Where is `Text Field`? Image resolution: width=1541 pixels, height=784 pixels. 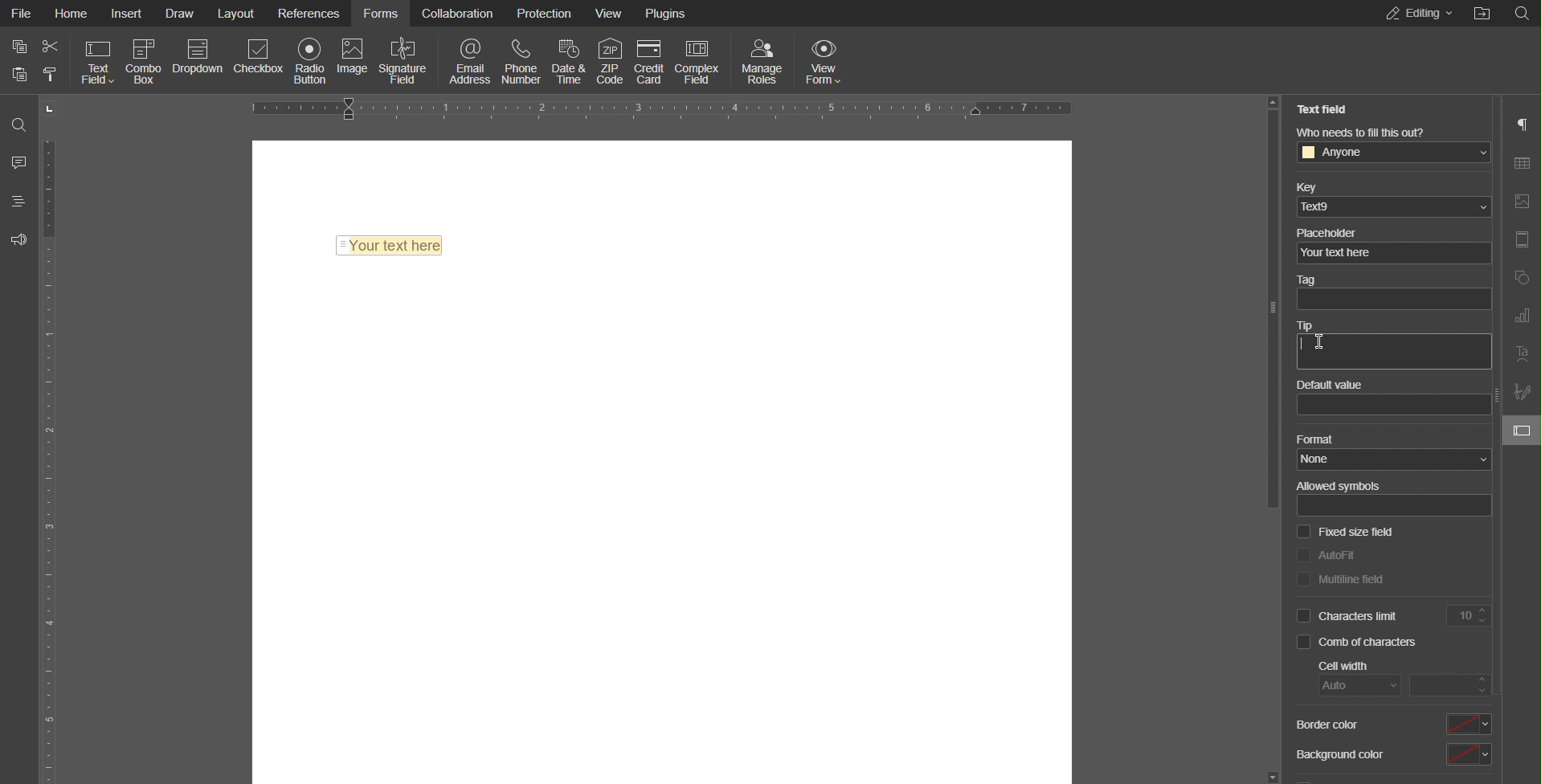 Text Field is located at coordinates (1321, 108).